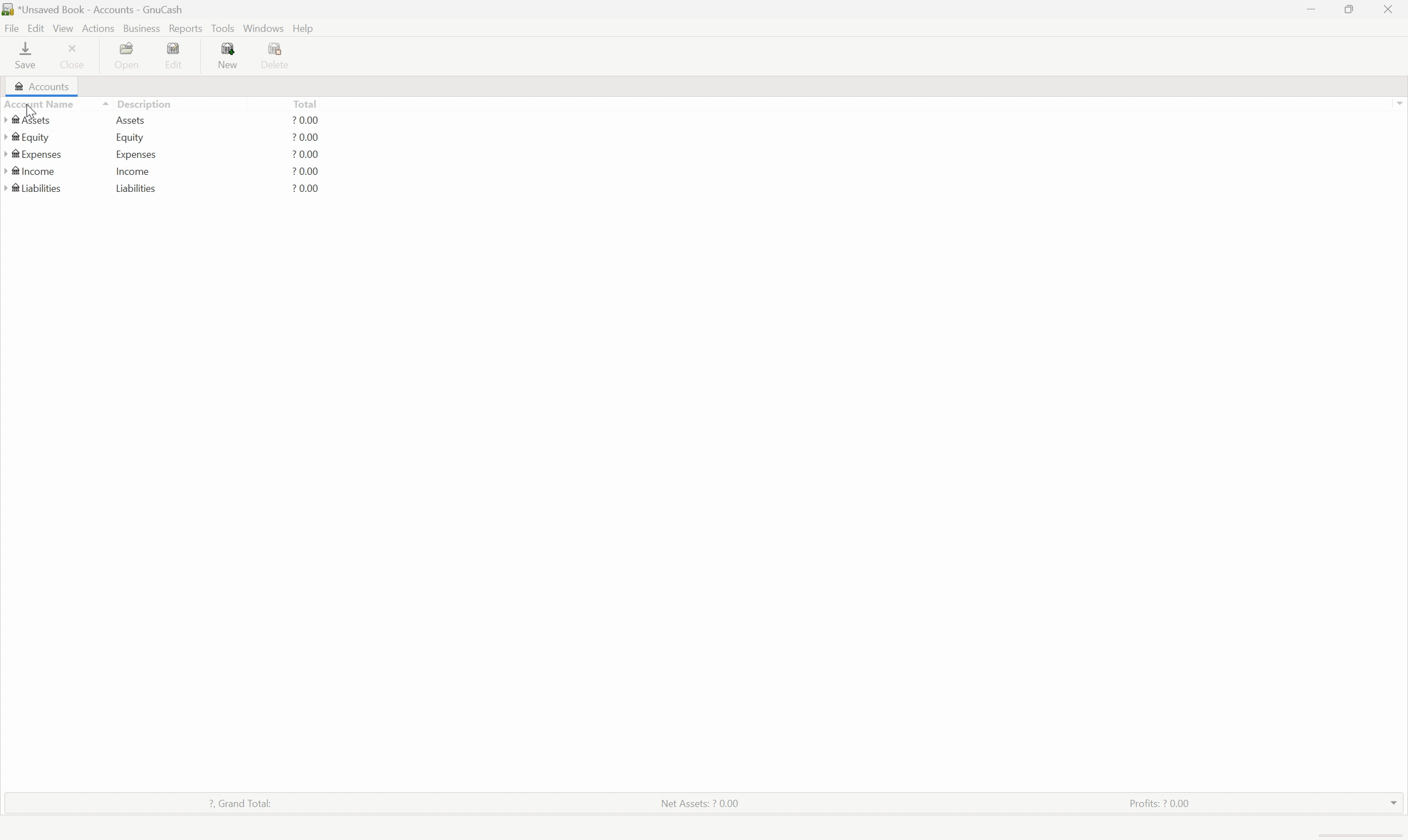  I want to click on Open, so click(131, 53).